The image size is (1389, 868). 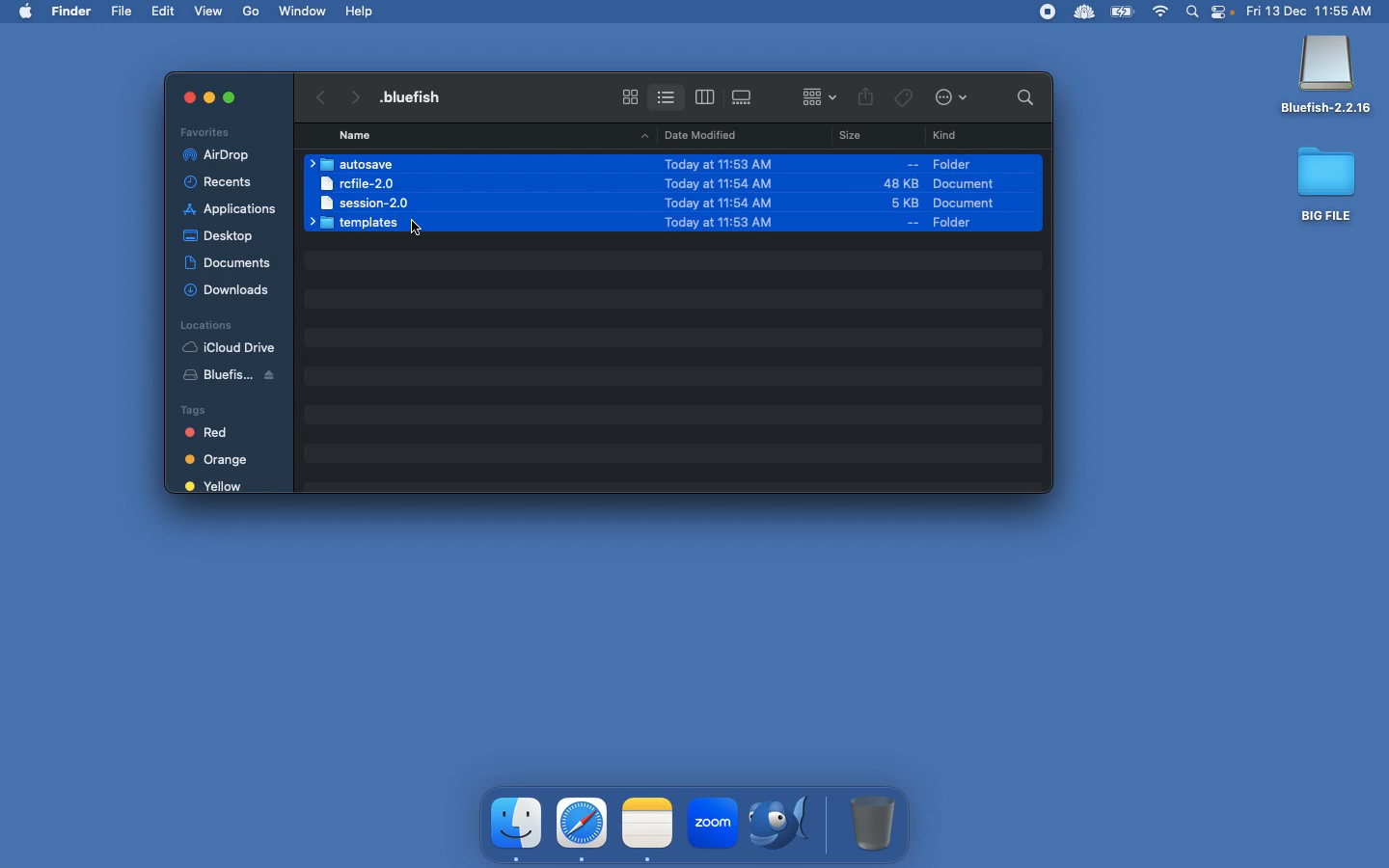 What do you see at coordinates (231, 209) in the screenshot?
I see `application` at bounding box center [231, 209].